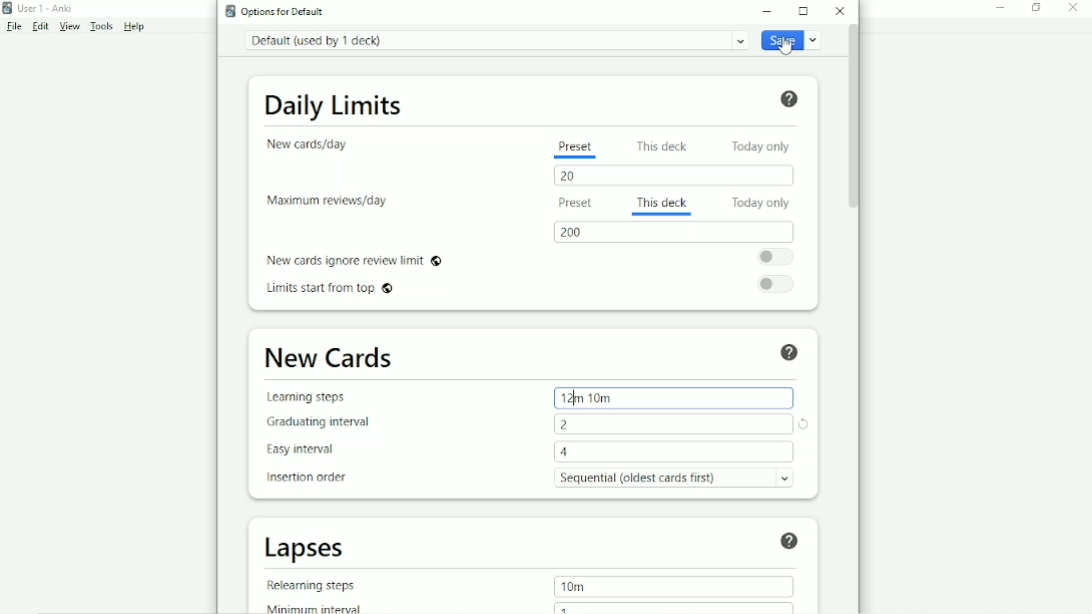  What do you see at coordinates (575, 586) in the screenshot?
I see `10m` at bounding box center [575, 586].